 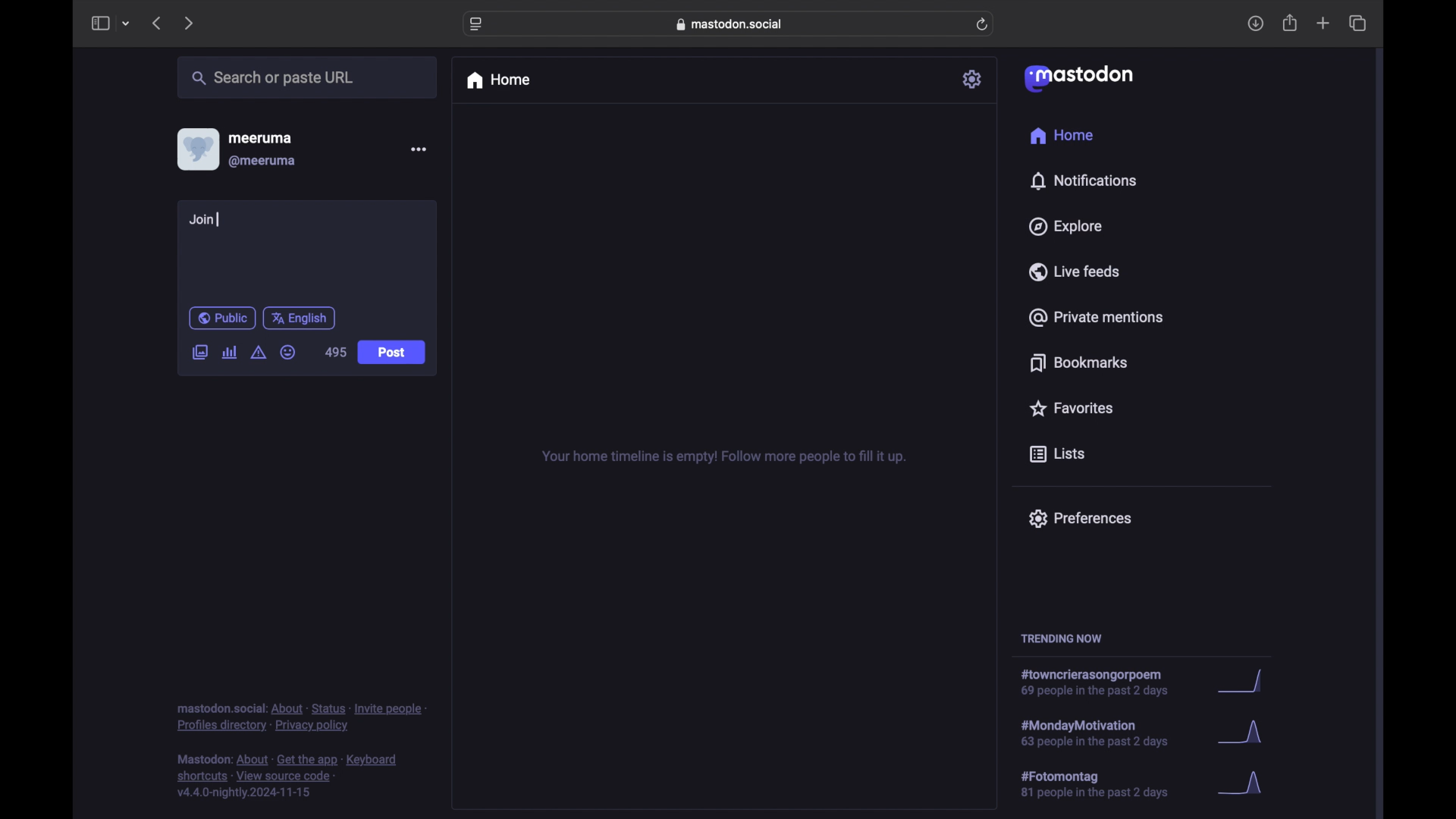 What do you see at coordinates (1240, 734) in the screenshot?
I see `graph` at bounding box center [1240, 734].